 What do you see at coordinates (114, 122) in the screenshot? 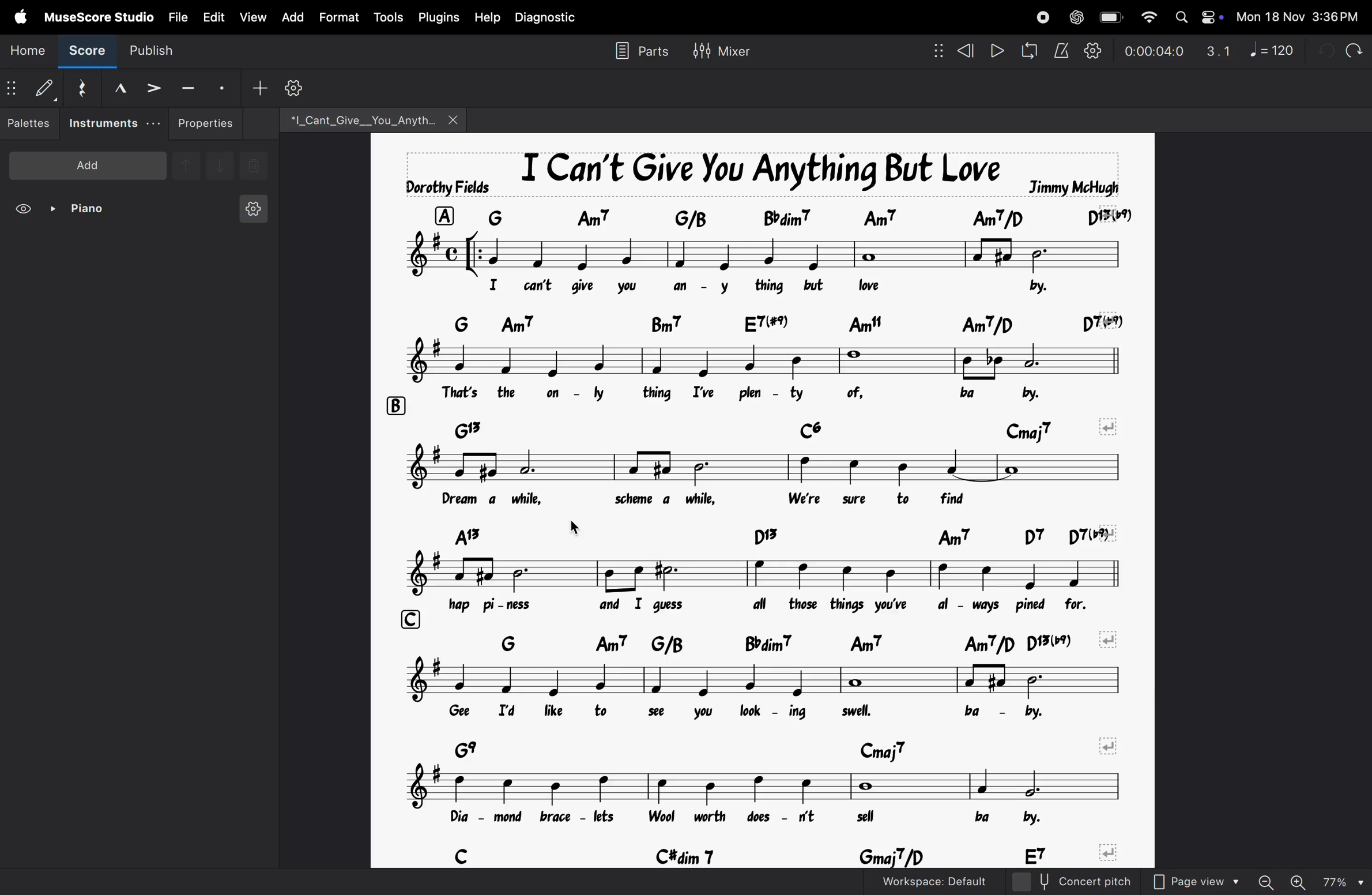
I see `instruments` at bounding box center [114, 122].